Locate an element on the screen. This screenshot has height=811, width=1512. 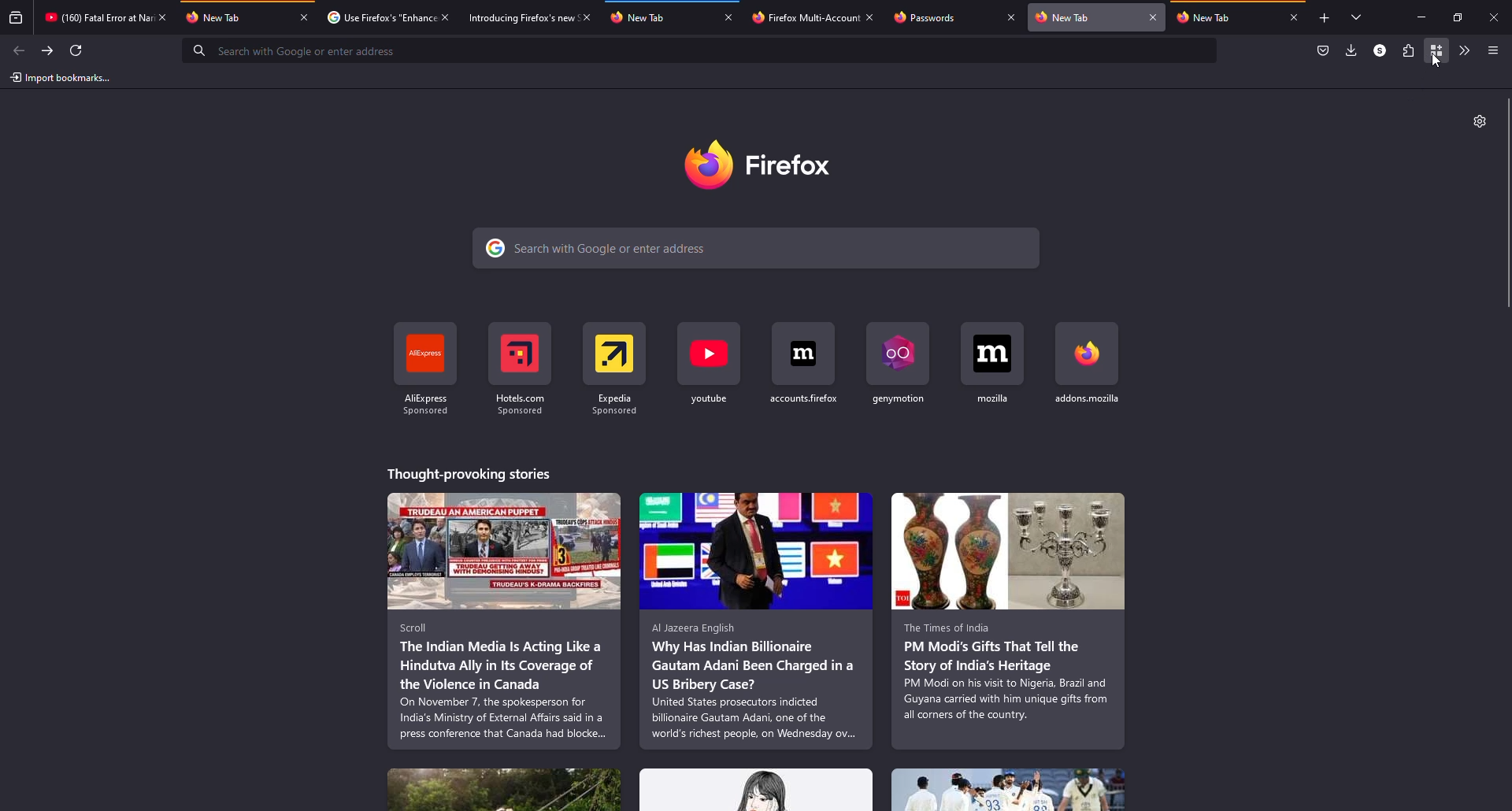
close is located at coordinates (870, 17).